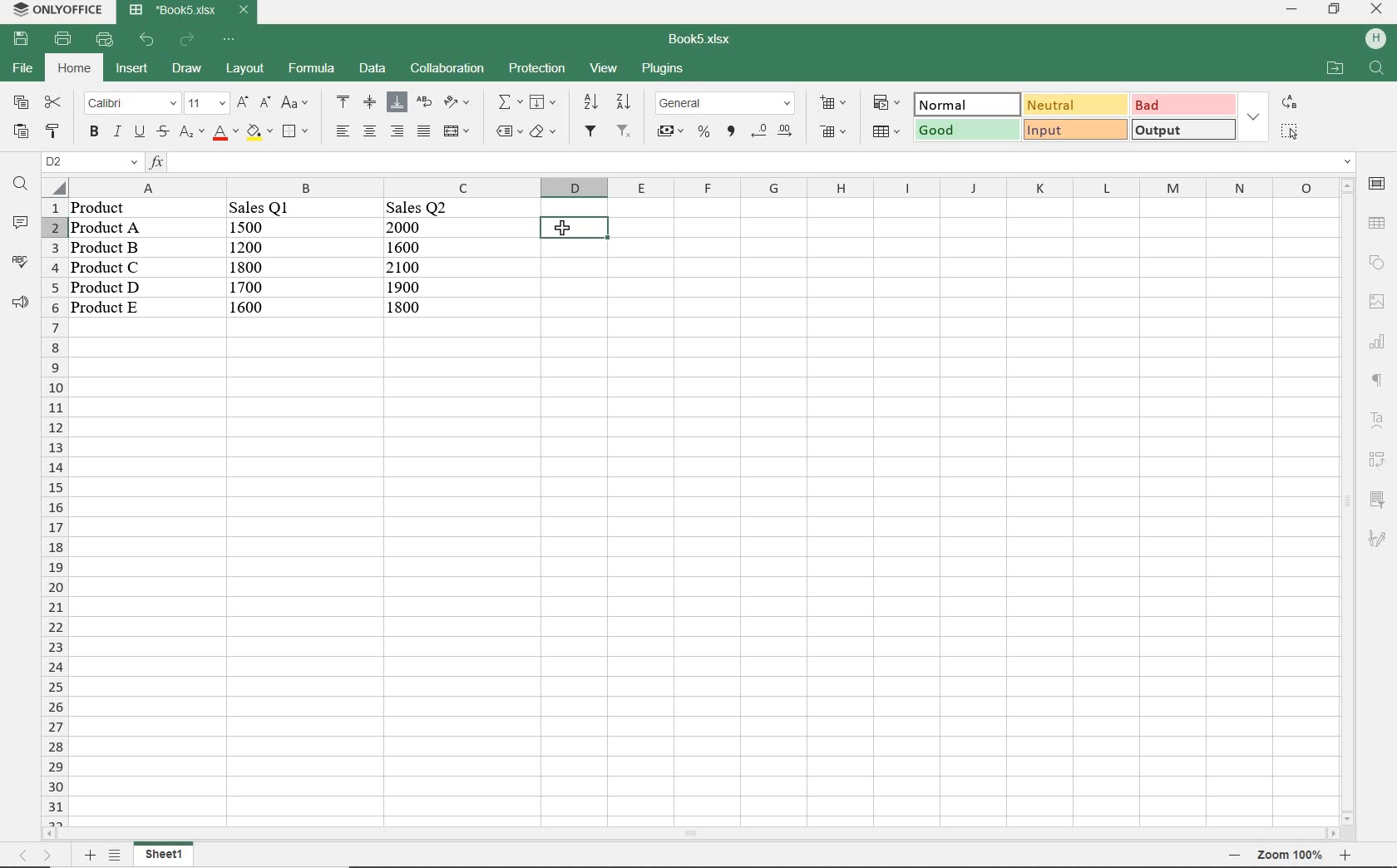 This screenshot has height=868, width=1397. Describe the element at coordinates (91, 162) in the screenshot. I see `named manager` at that location.